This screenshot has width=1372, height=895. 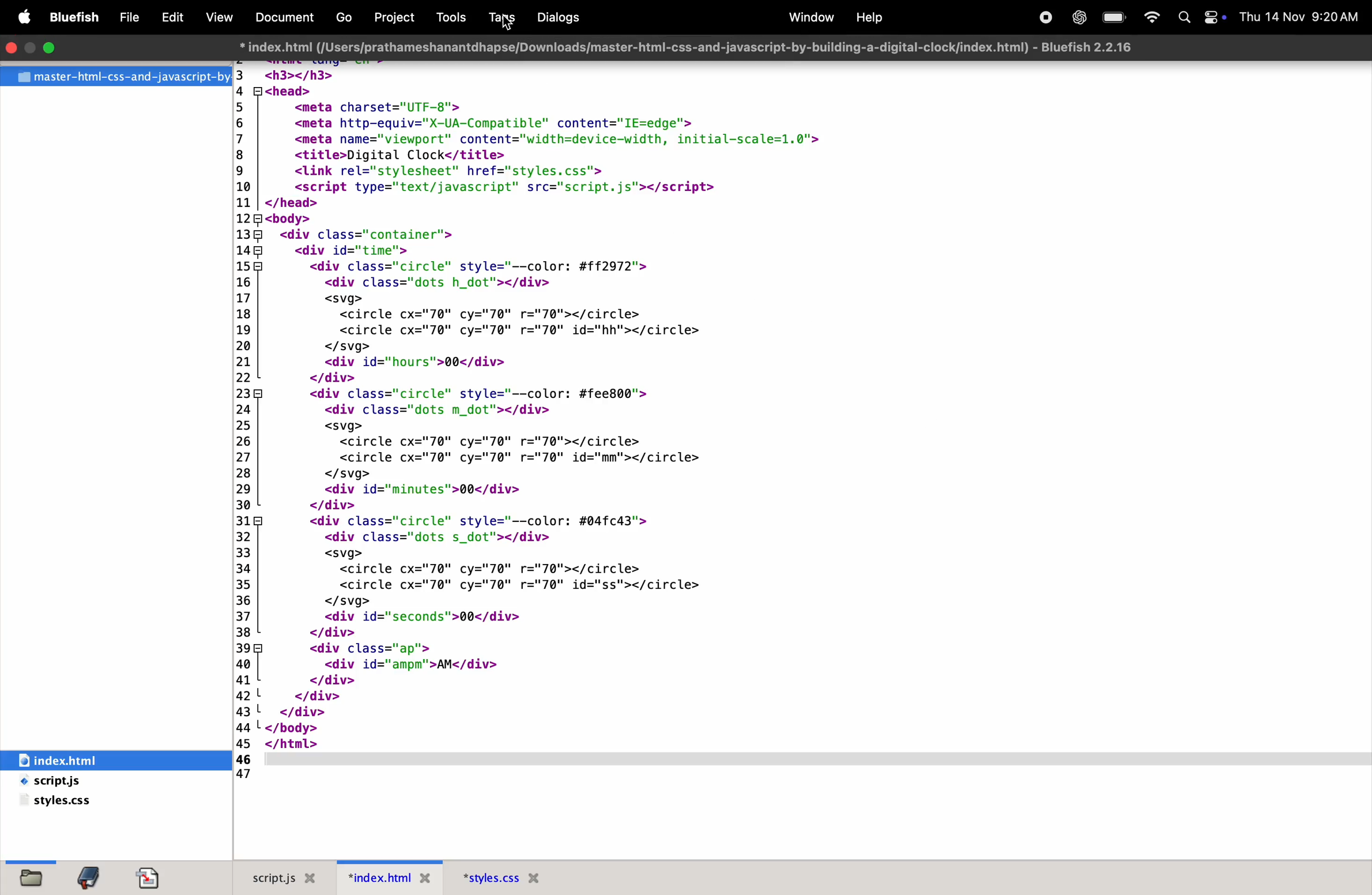 What do you see at coordinates (220, 17) in the screenshot?
I see `View` at bounding box center [220, 17].